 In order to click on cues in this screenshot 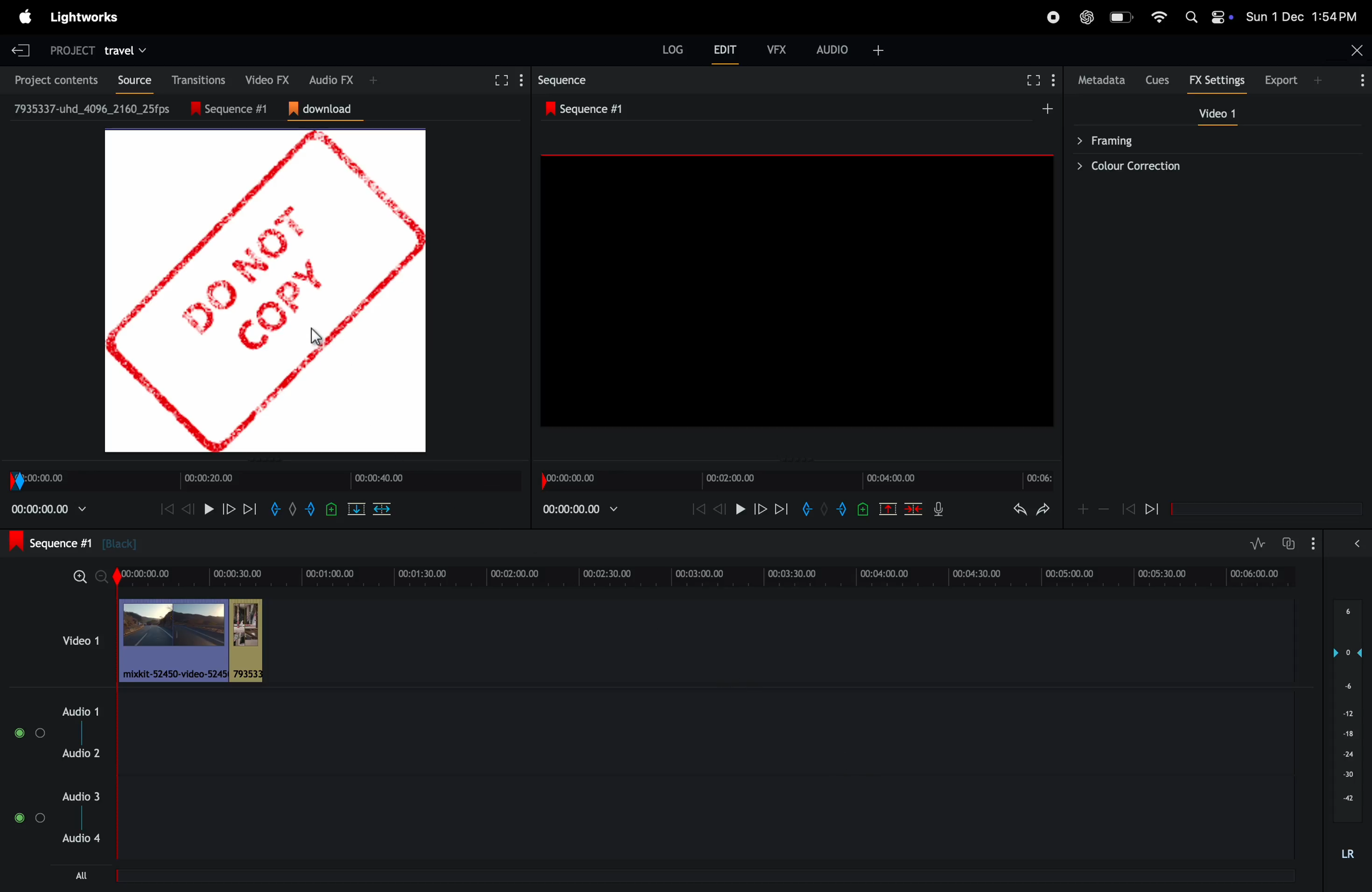, I will do `click(1159, 80)`.